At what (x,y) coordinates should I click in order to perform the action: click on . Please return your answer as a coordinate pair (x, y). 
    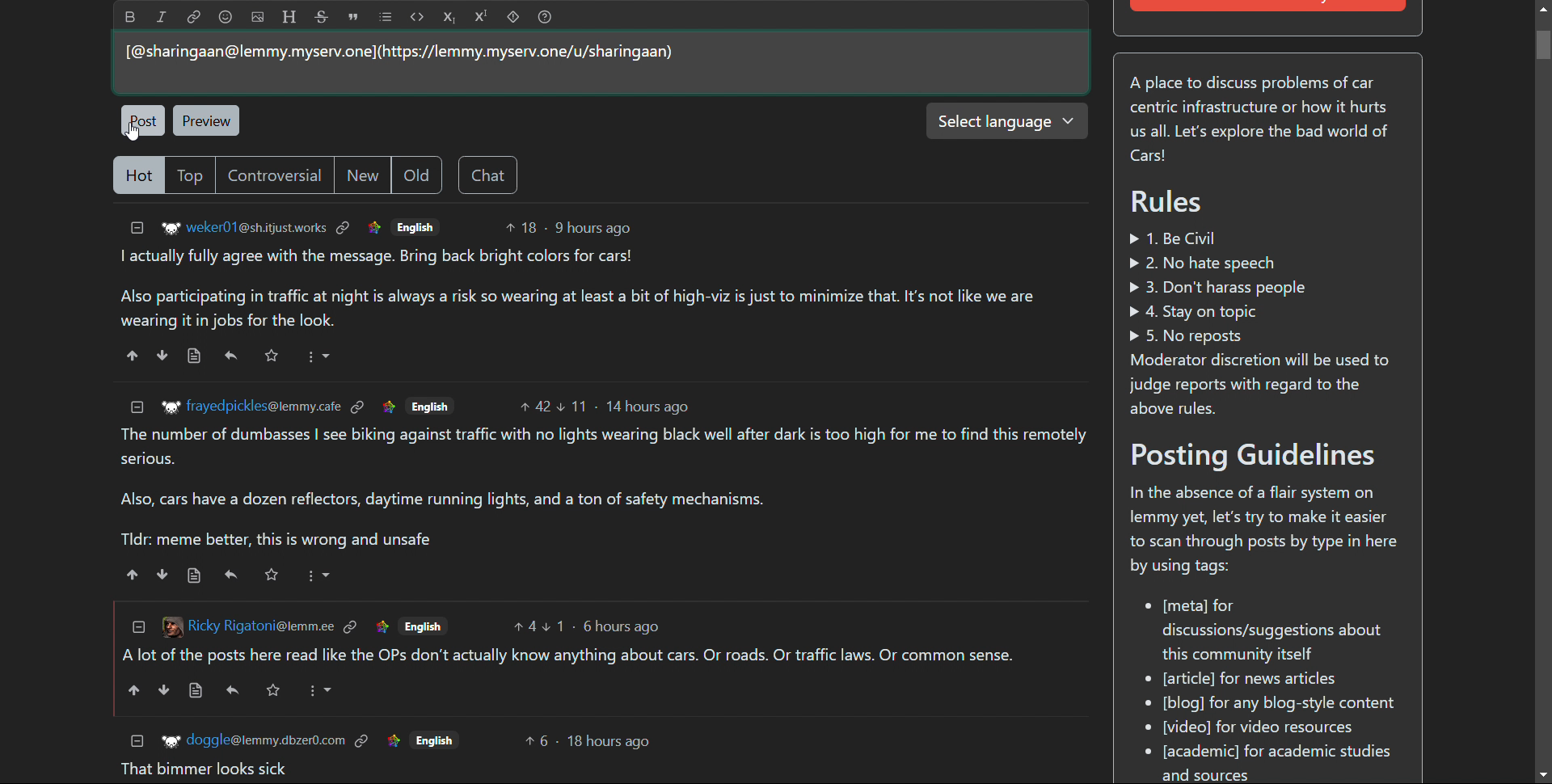
    Looking at the image, I should click on (436, 739).